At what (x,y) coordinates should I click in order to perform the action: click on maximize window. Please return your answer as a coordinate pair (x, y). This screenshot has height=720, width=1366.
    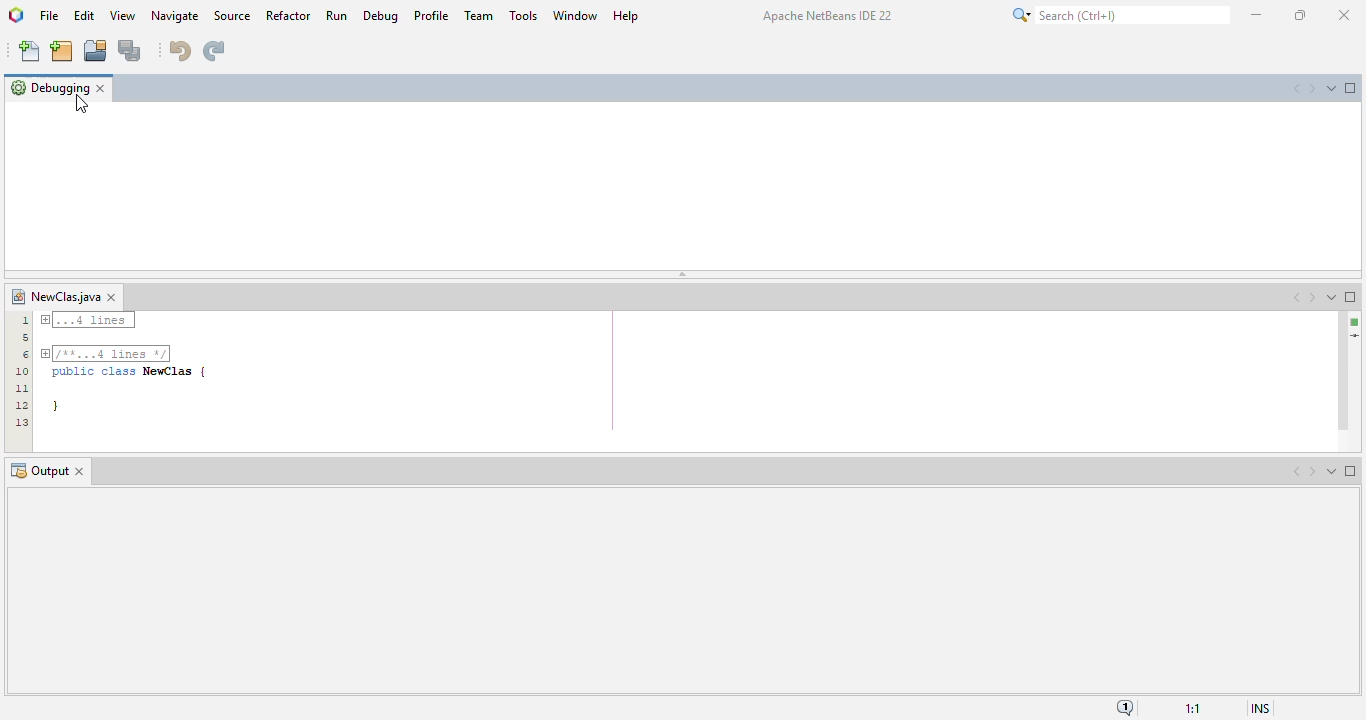
    Looking at the image, I should click on (1351, 471).